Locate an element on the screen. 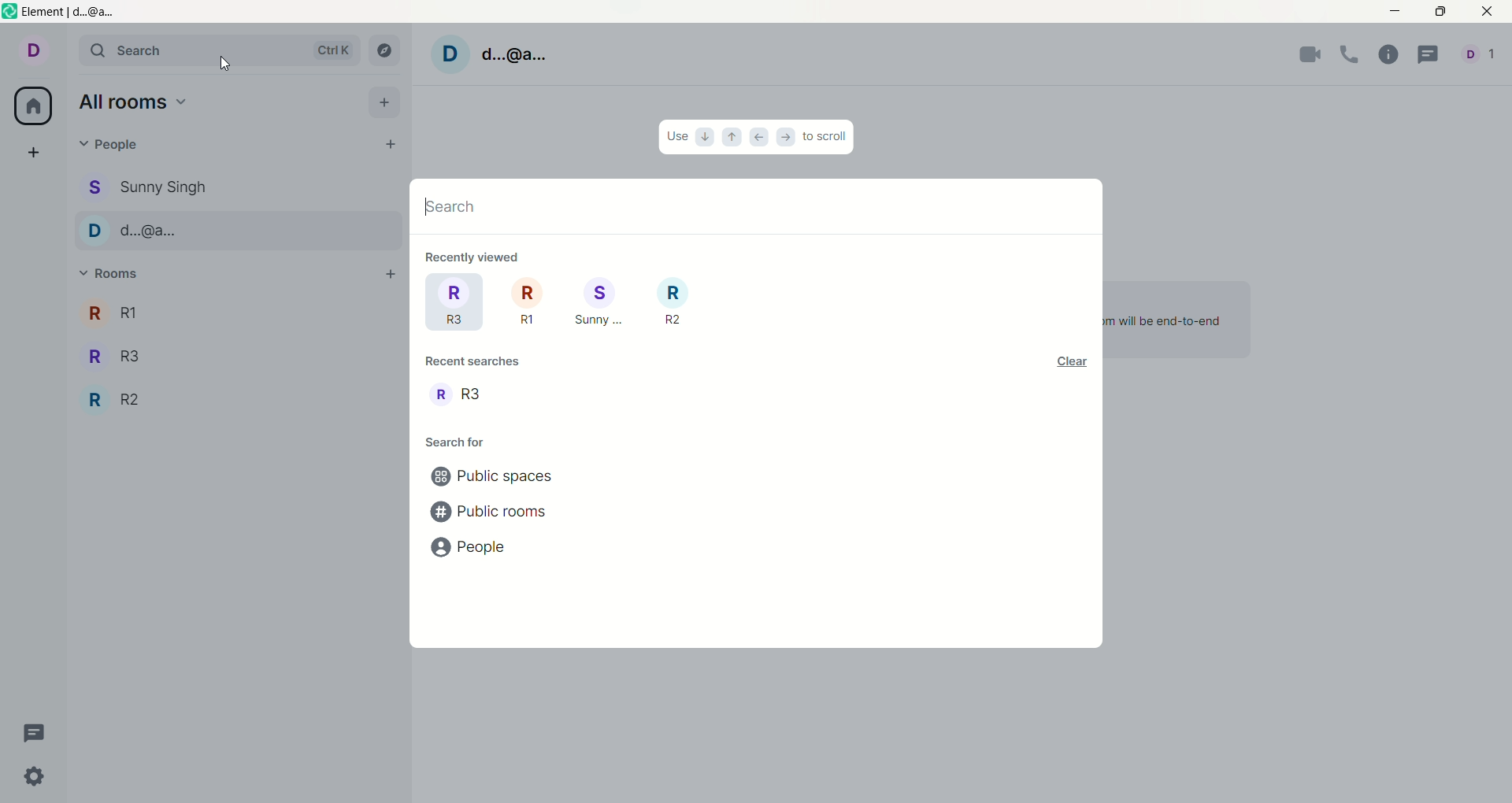 Image resolution: width=1512 pixels, height=803 pixels. add is located at coordinates (37, 154).